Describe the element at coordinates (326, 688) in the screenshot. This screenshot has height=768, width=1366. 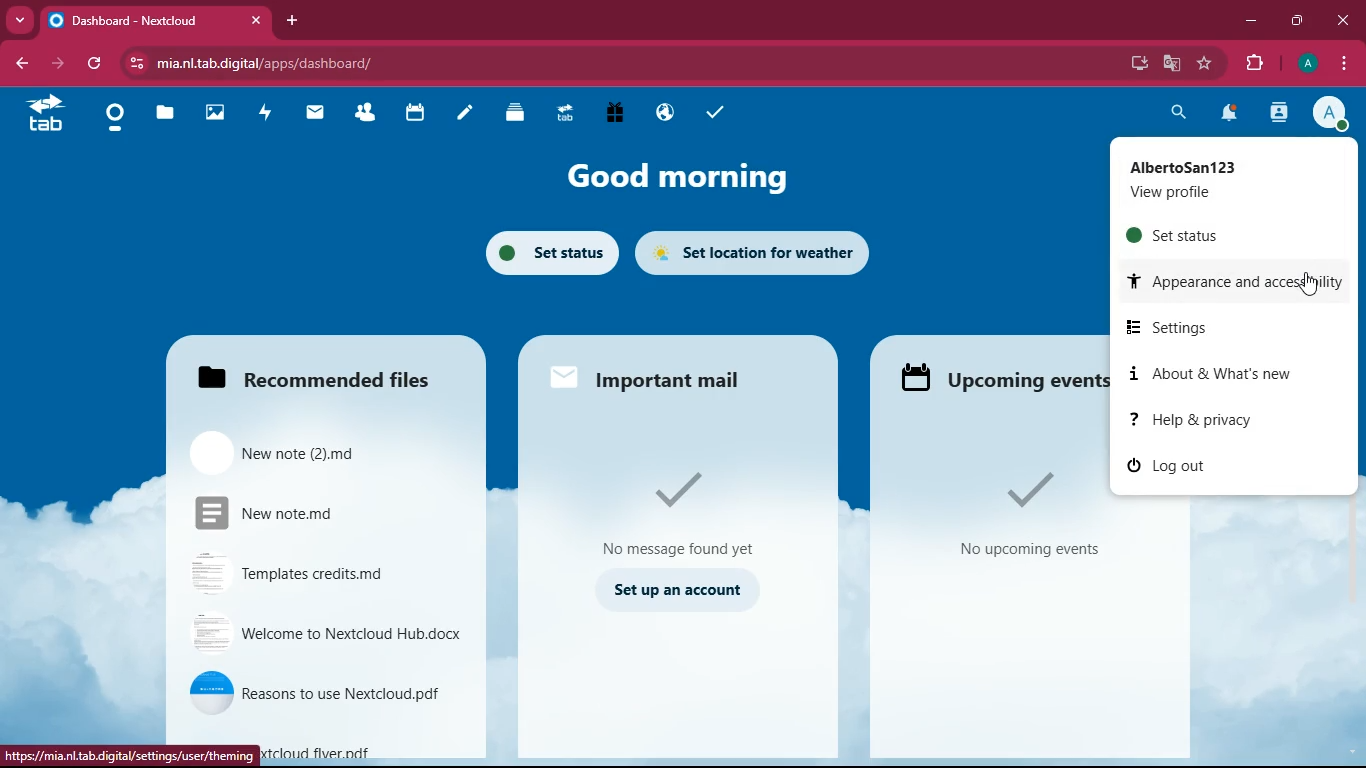
I see `file` at that location.